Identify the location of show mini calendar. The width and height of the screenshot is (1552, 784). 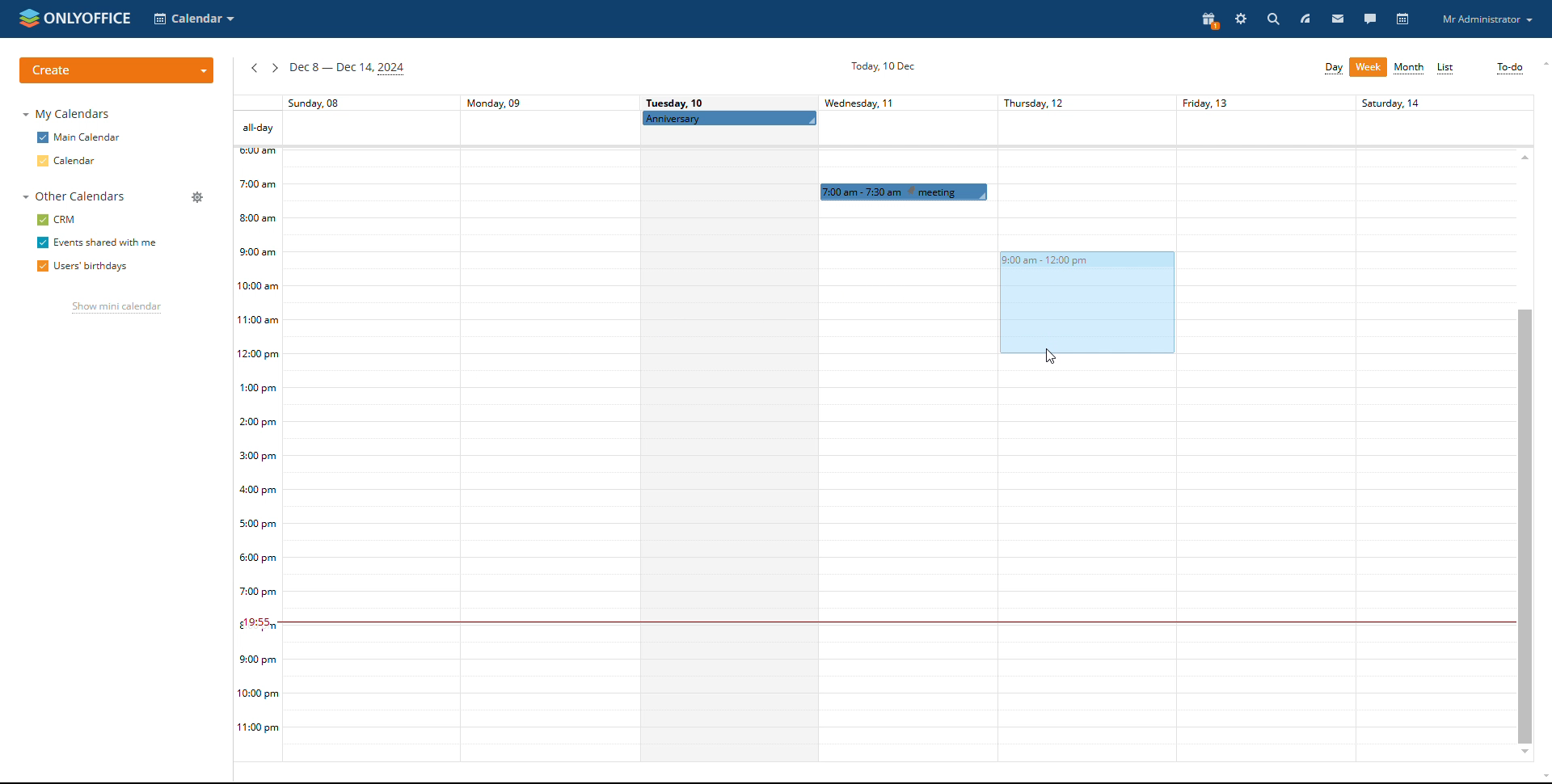
(113, 310).